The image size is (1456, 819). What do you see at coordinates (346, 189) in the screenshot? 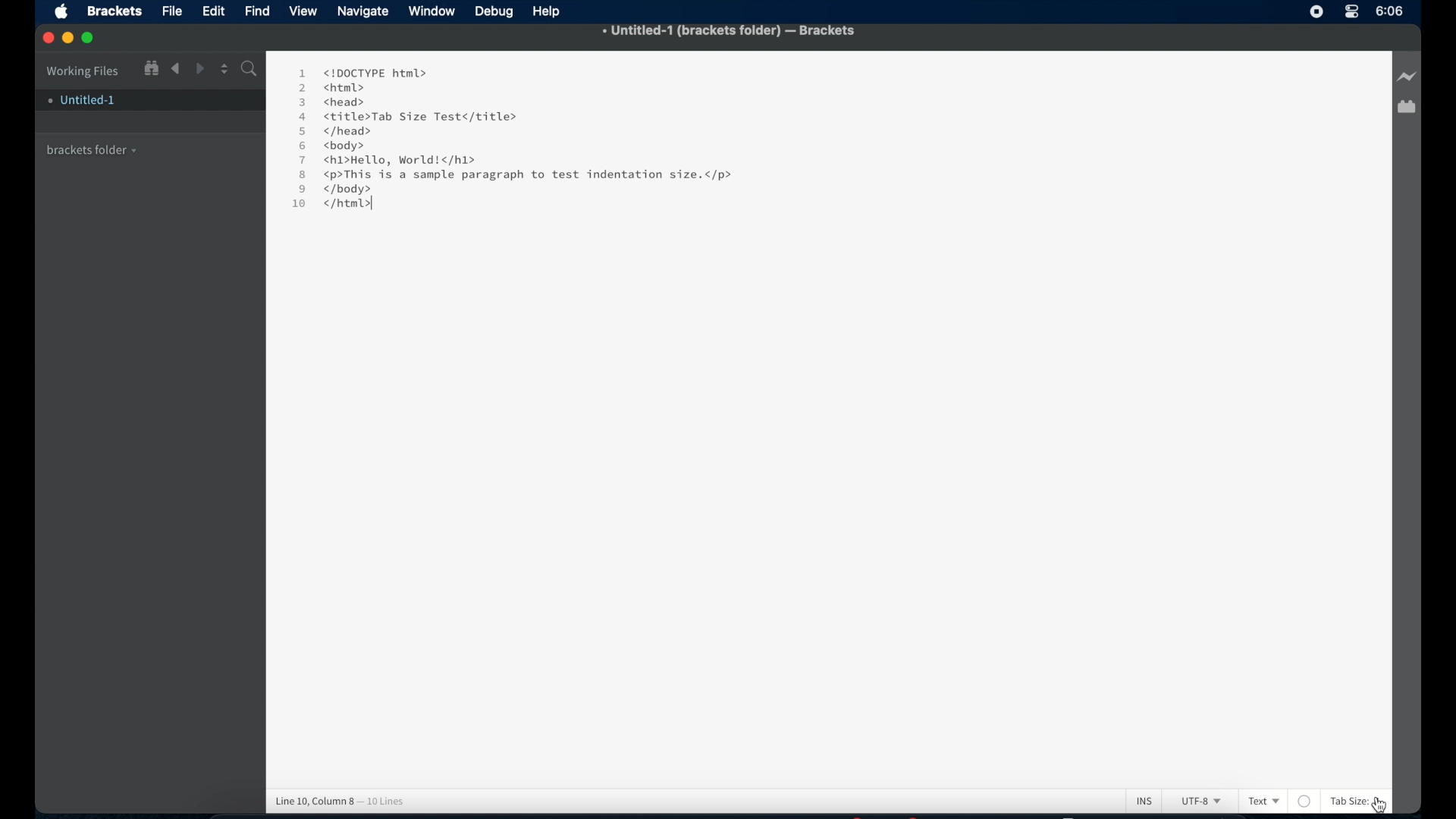
I see `9 </body>` at bounding box center [346, 189].